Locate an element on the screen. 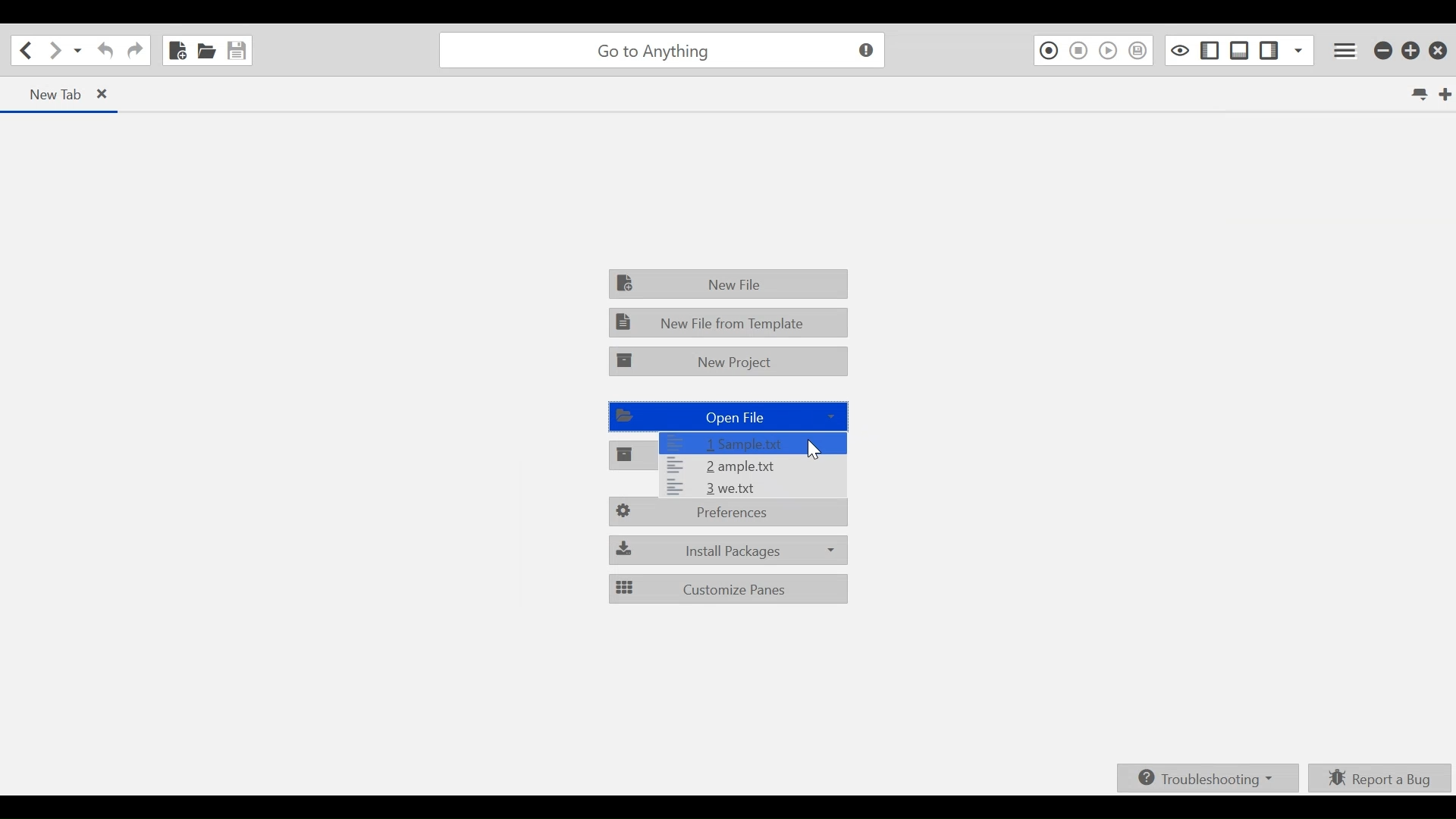  Recent locations is located at coordinates (78, 52).